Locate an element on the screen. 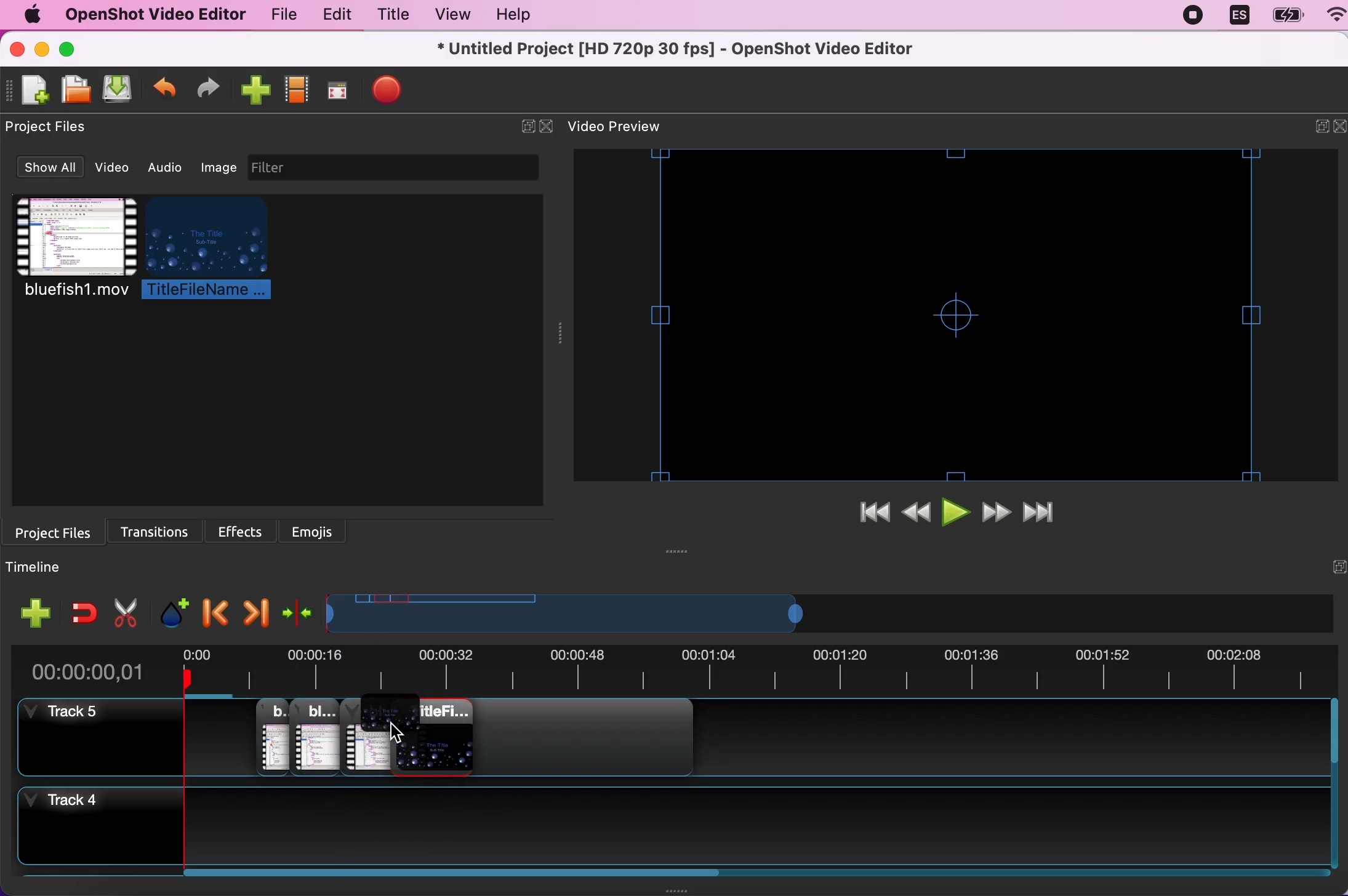  video duration is located at coordinates (656, 614).